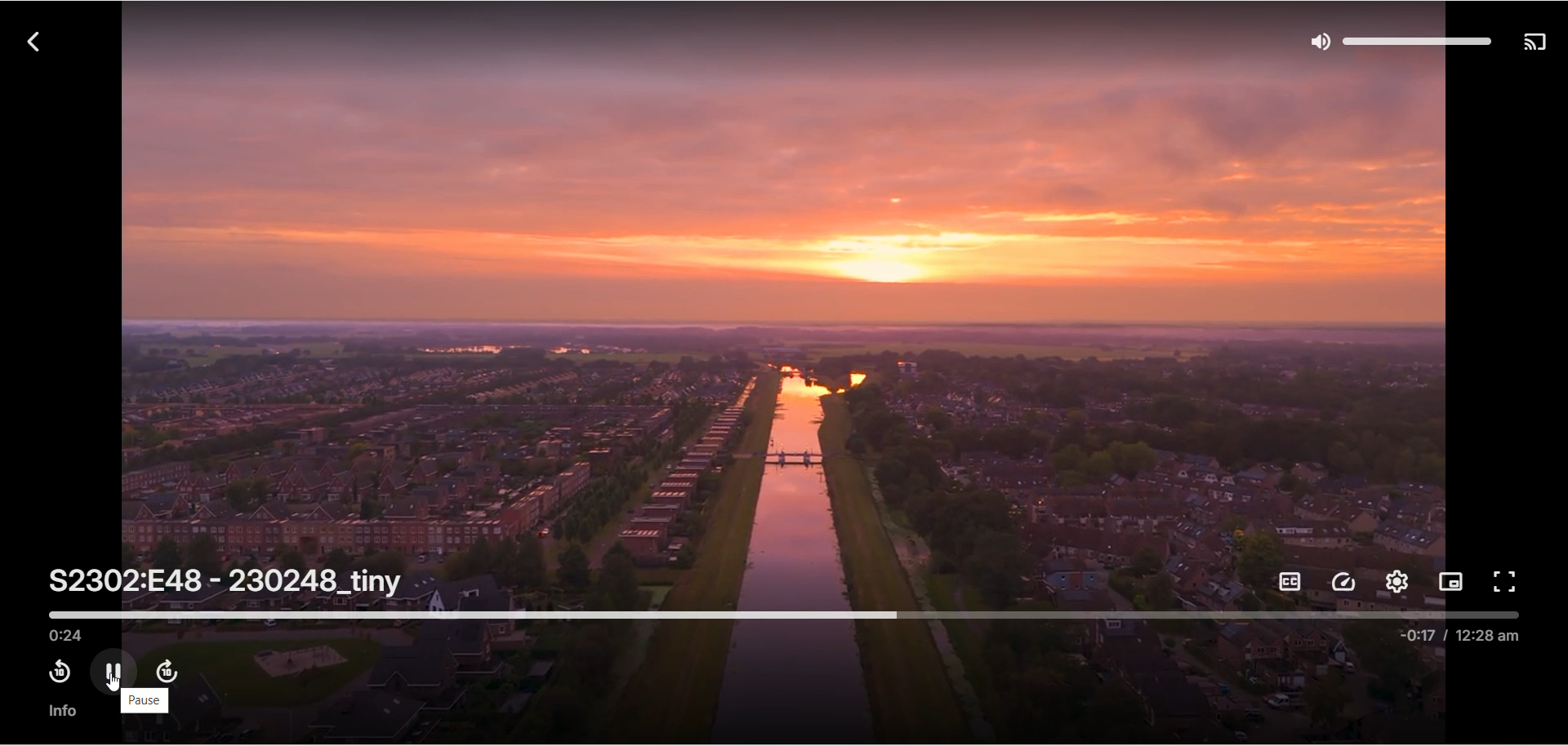 The width and height of the screenshot is (1568, 746). I want to click on information, so click(61, 712).